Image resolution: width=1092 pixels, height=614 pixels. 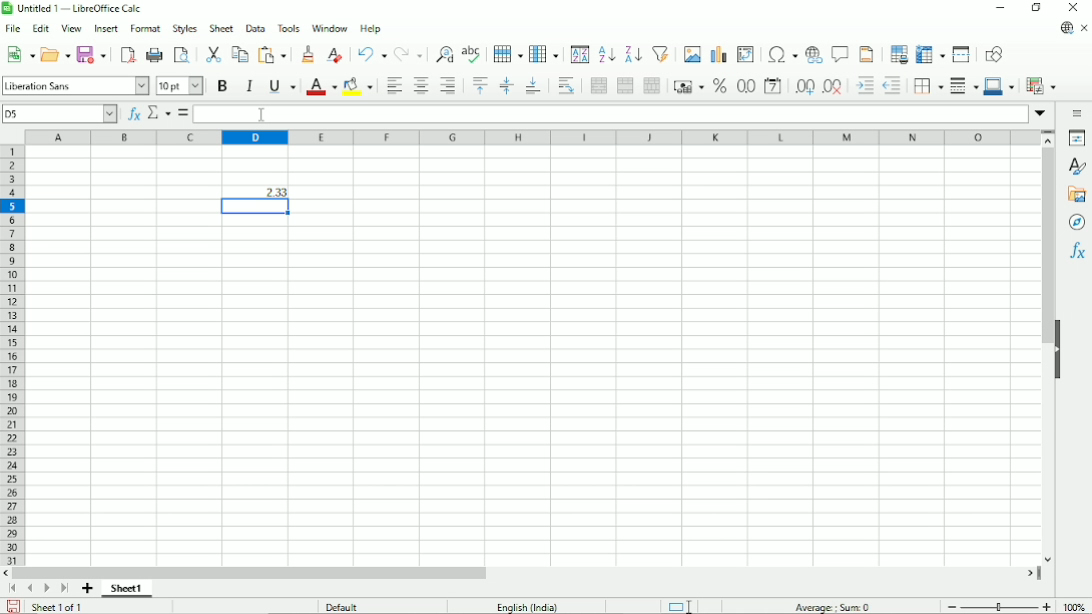 I want to click on Align center, so click(x=421, y=85).